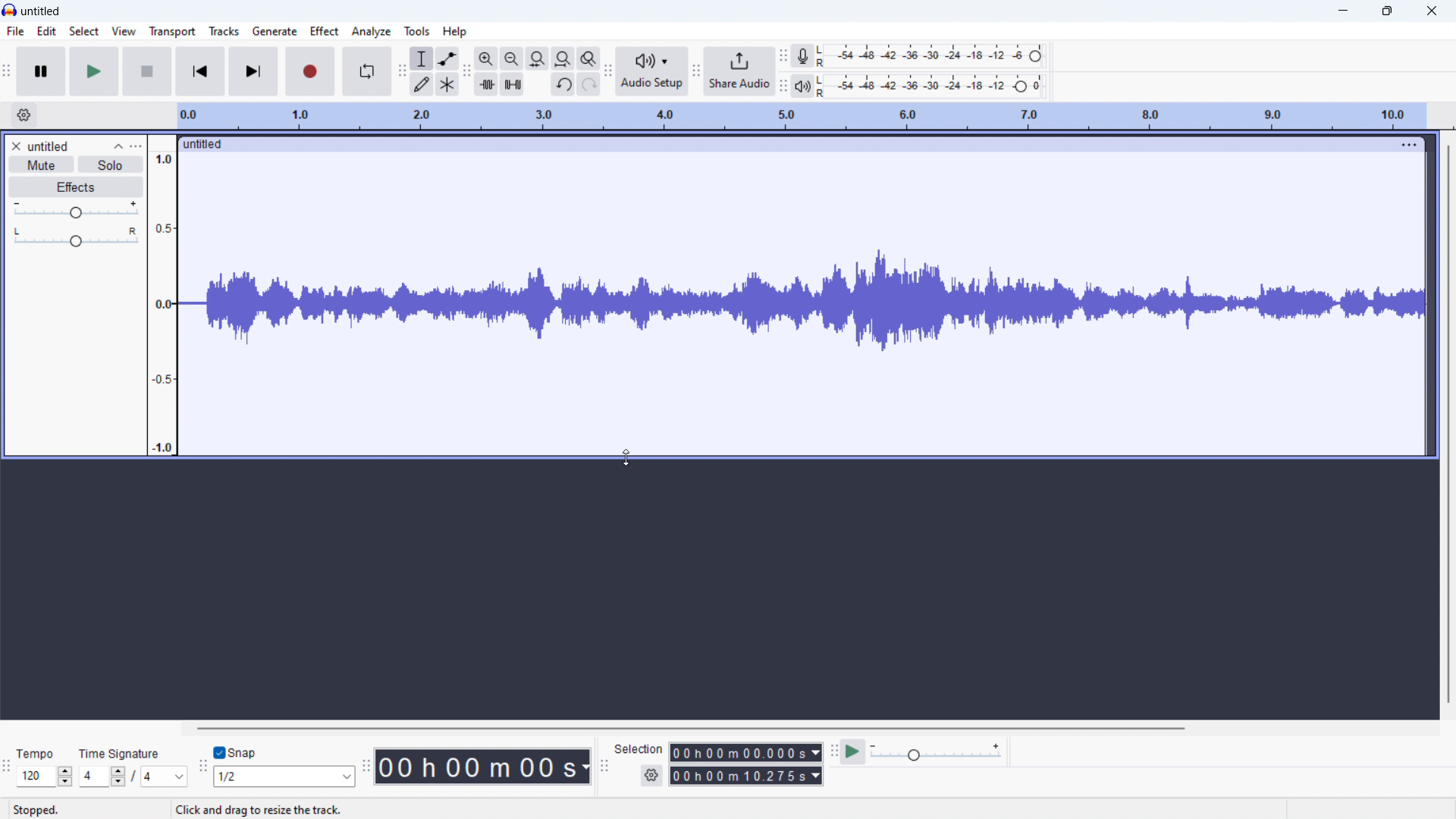  Describe the element at coordinates (484, 766) in the screenshot. I see `timestamp` at that location.